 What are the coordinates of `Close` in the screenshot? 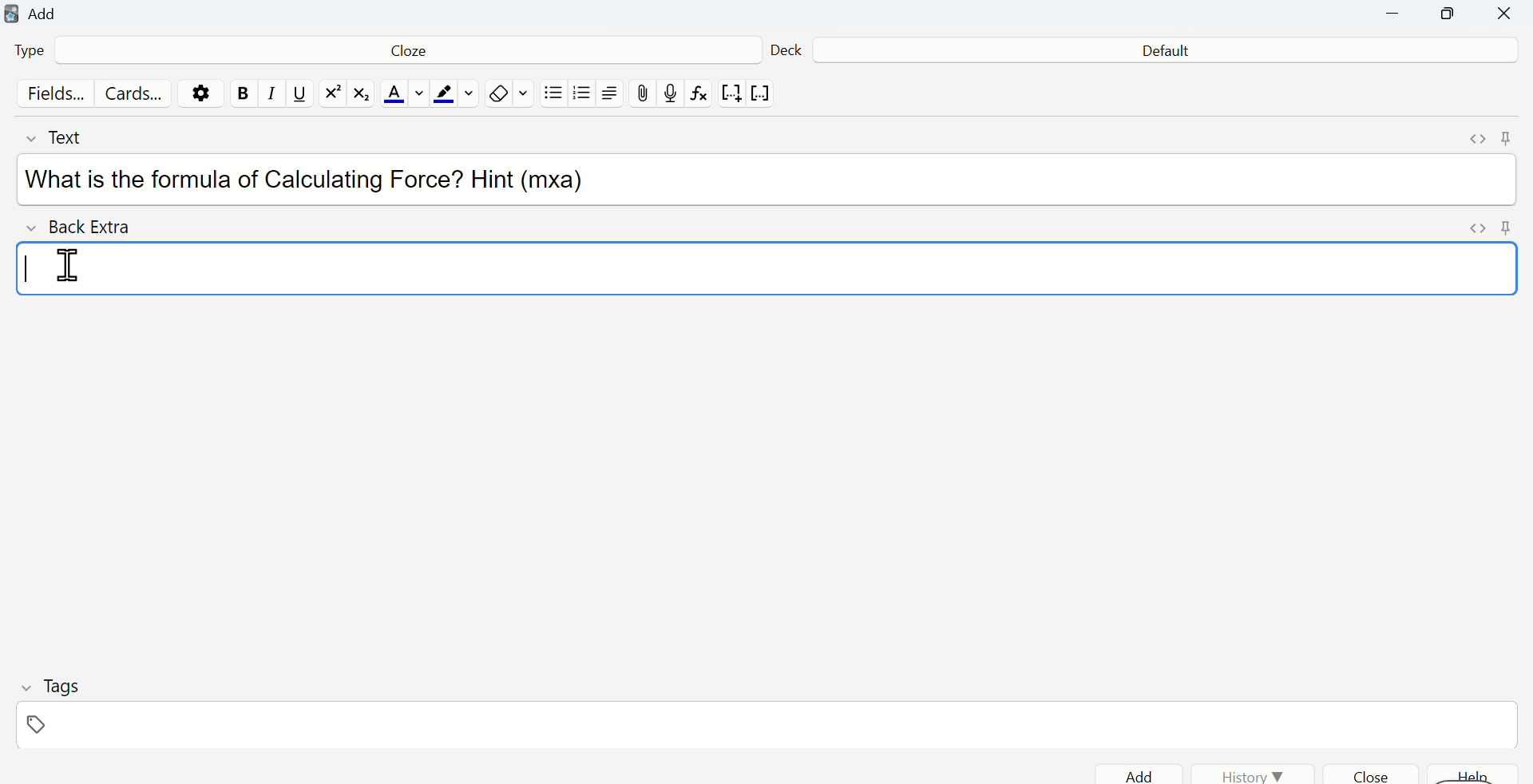 It's located at (1503, 16).